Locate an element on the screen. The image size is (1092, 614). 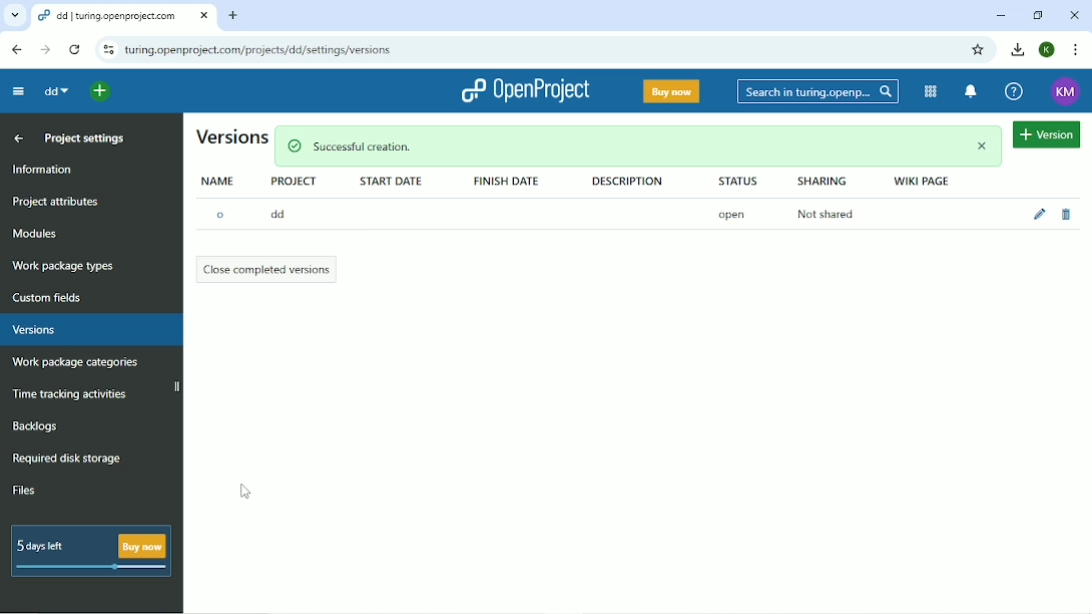
Help is located at coordinates (1015, 91).